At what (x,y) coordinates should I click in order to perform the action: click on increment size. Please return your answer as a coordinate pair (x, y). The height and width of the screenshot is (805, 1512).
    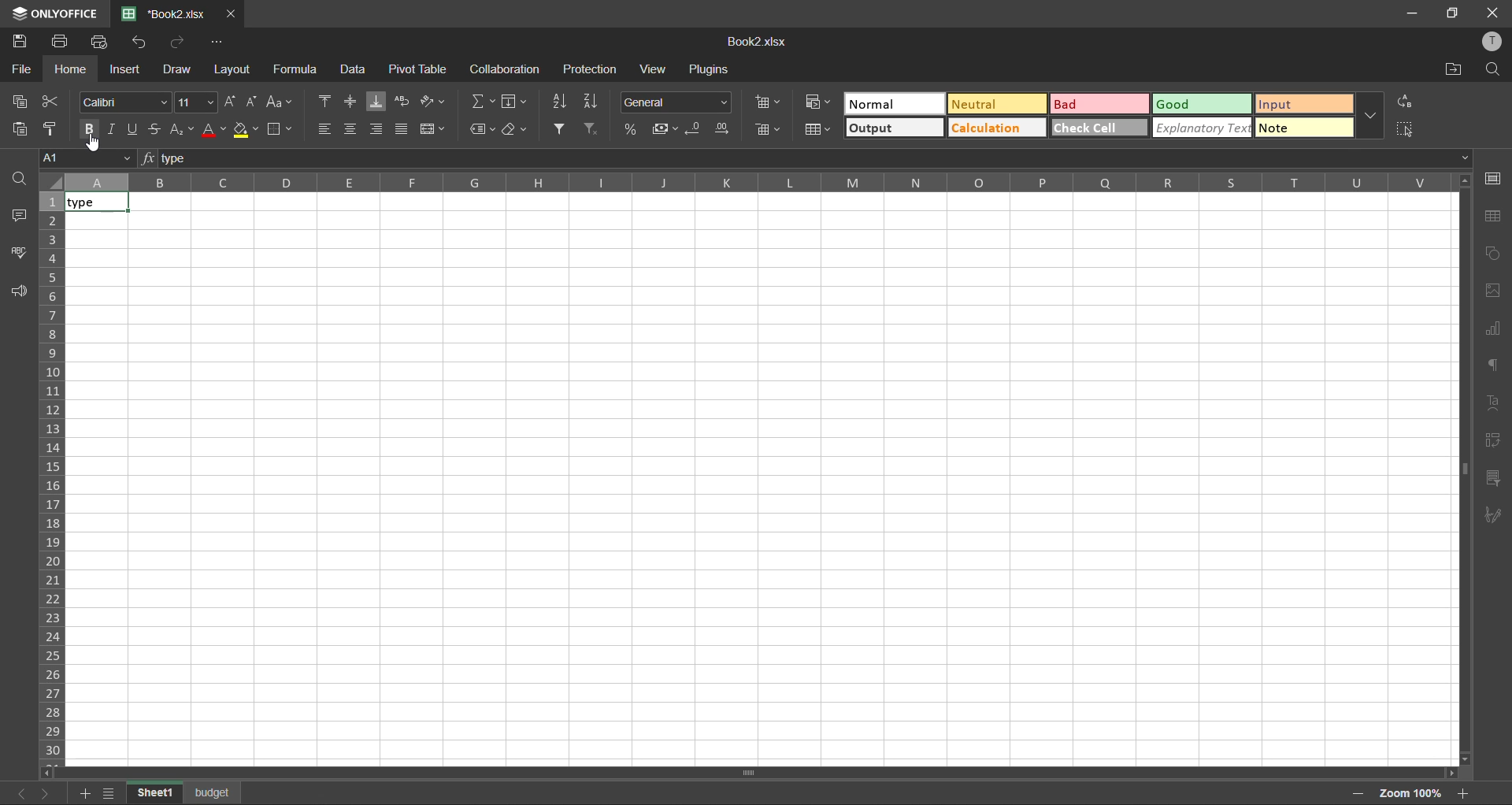
    Looking at the image, I should click on (232, 101).